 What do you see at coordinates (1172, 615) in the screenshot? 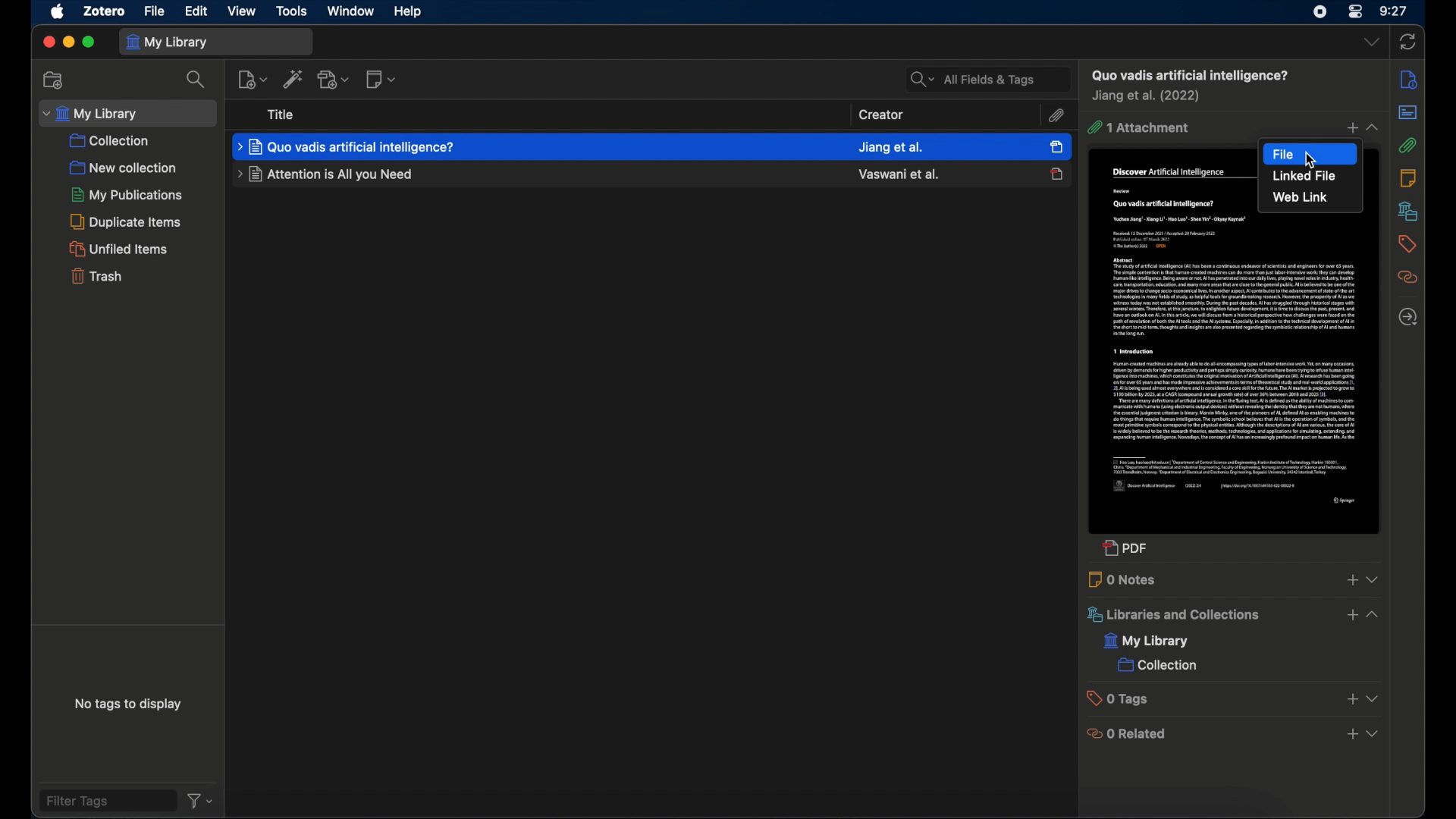
I see `libraries and collections` at bounding box center [1172, 615].